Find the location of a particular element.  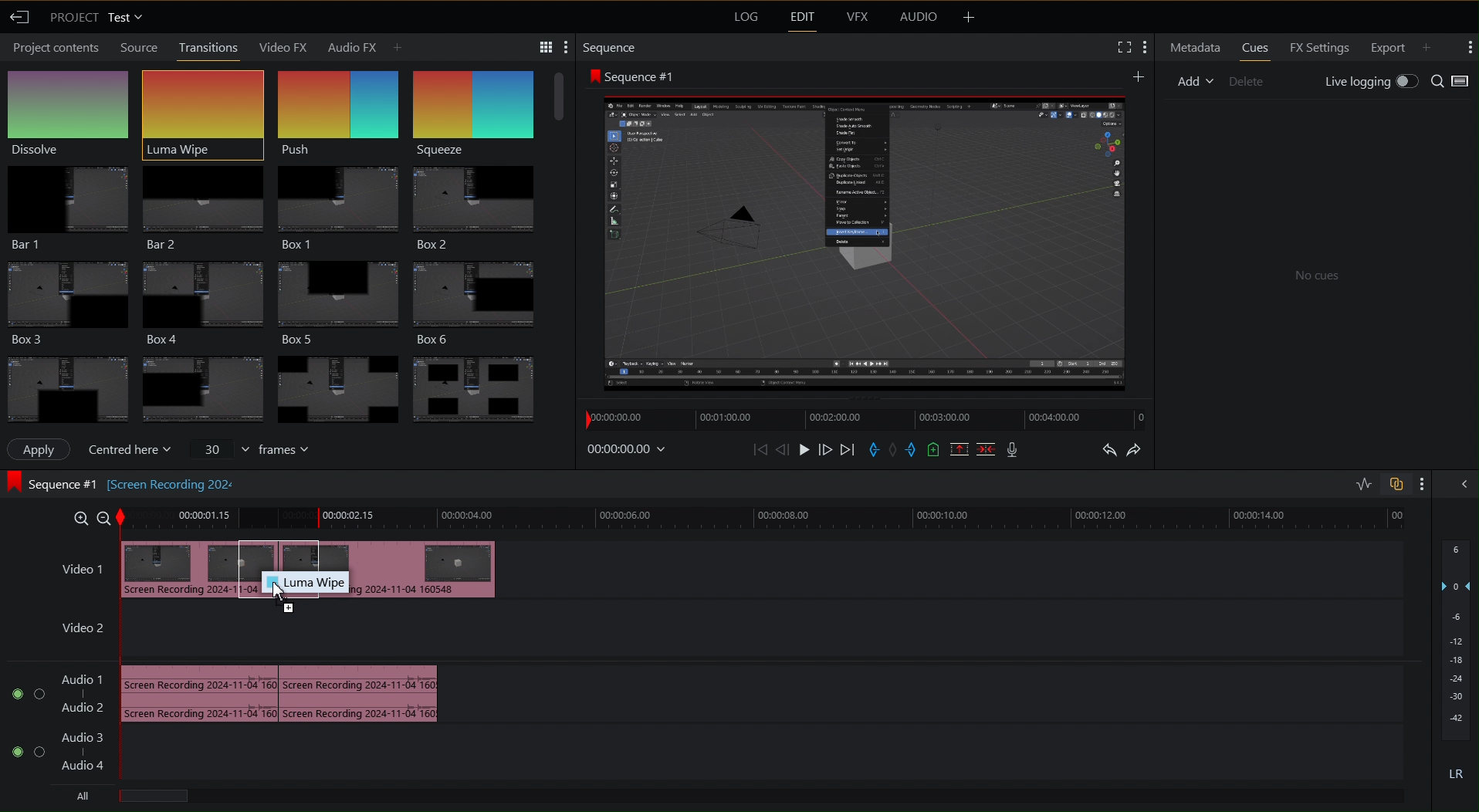

Mic is located at coordinates (1012, 449).